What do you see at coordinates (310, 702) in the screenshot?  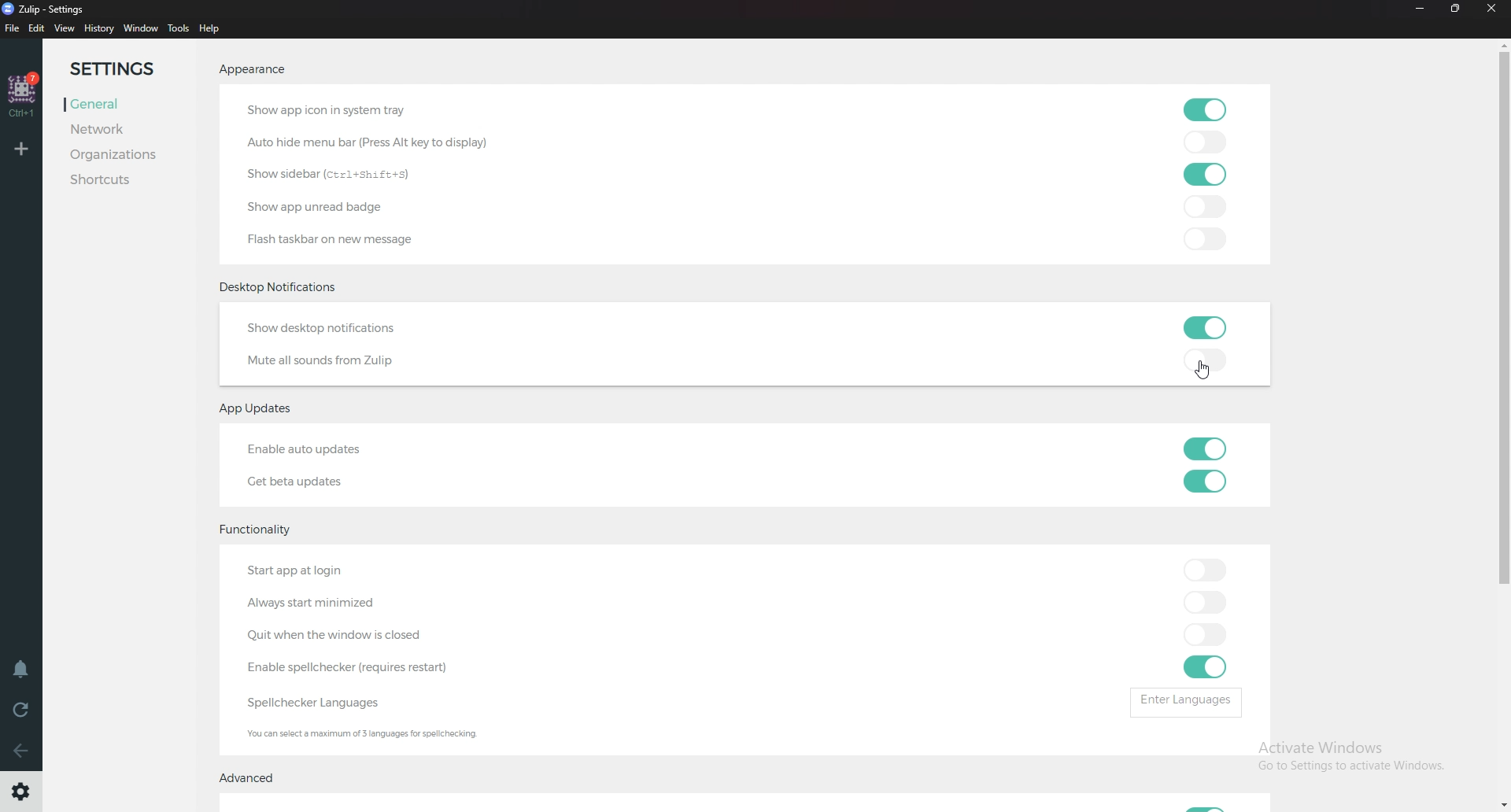 I see `Spell checker languages` at bounding box center [310, 702].